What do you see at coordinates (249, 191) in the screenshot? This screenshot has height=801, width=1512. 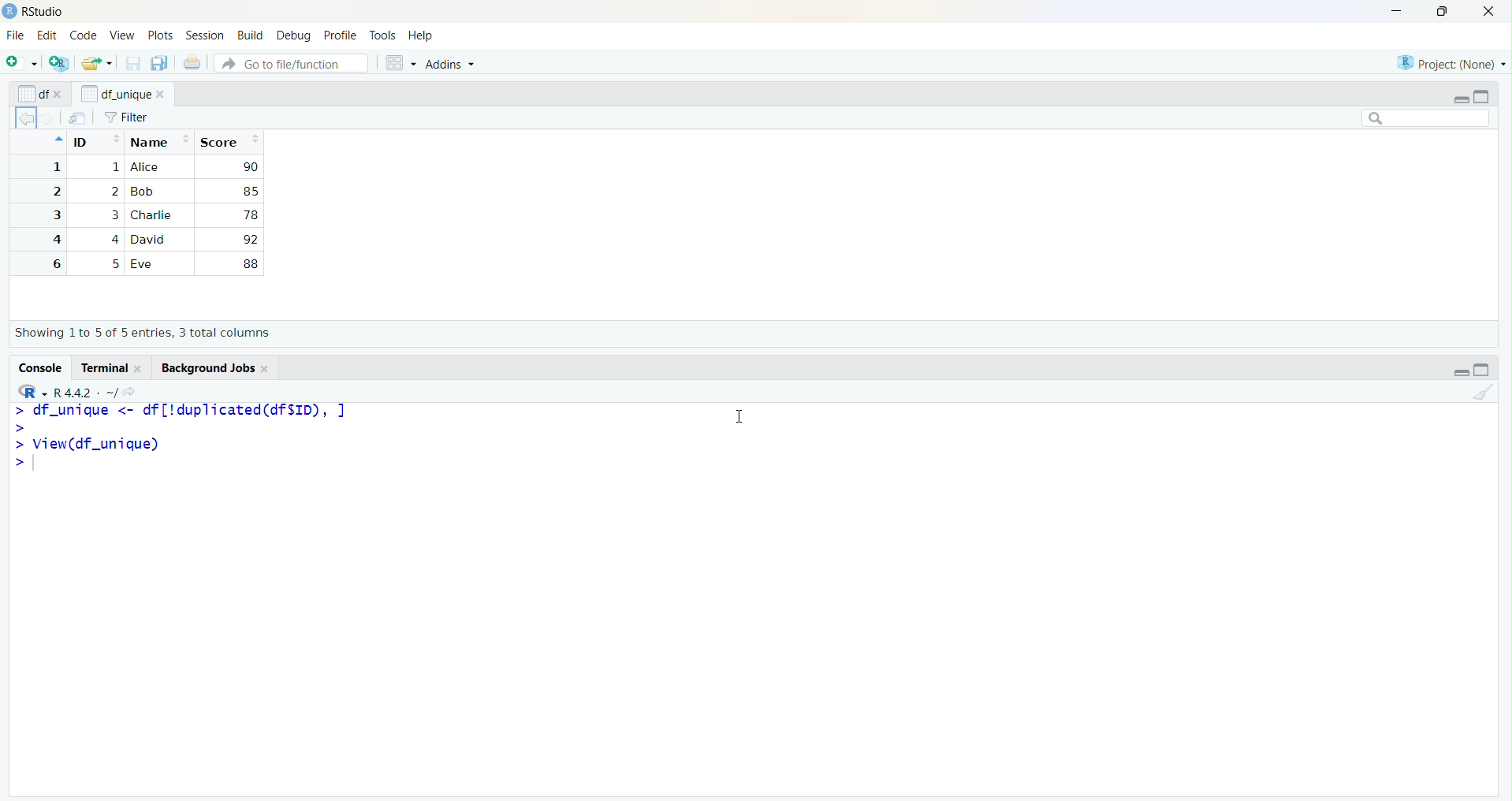 I see `85` at bounding box center [249, 191].